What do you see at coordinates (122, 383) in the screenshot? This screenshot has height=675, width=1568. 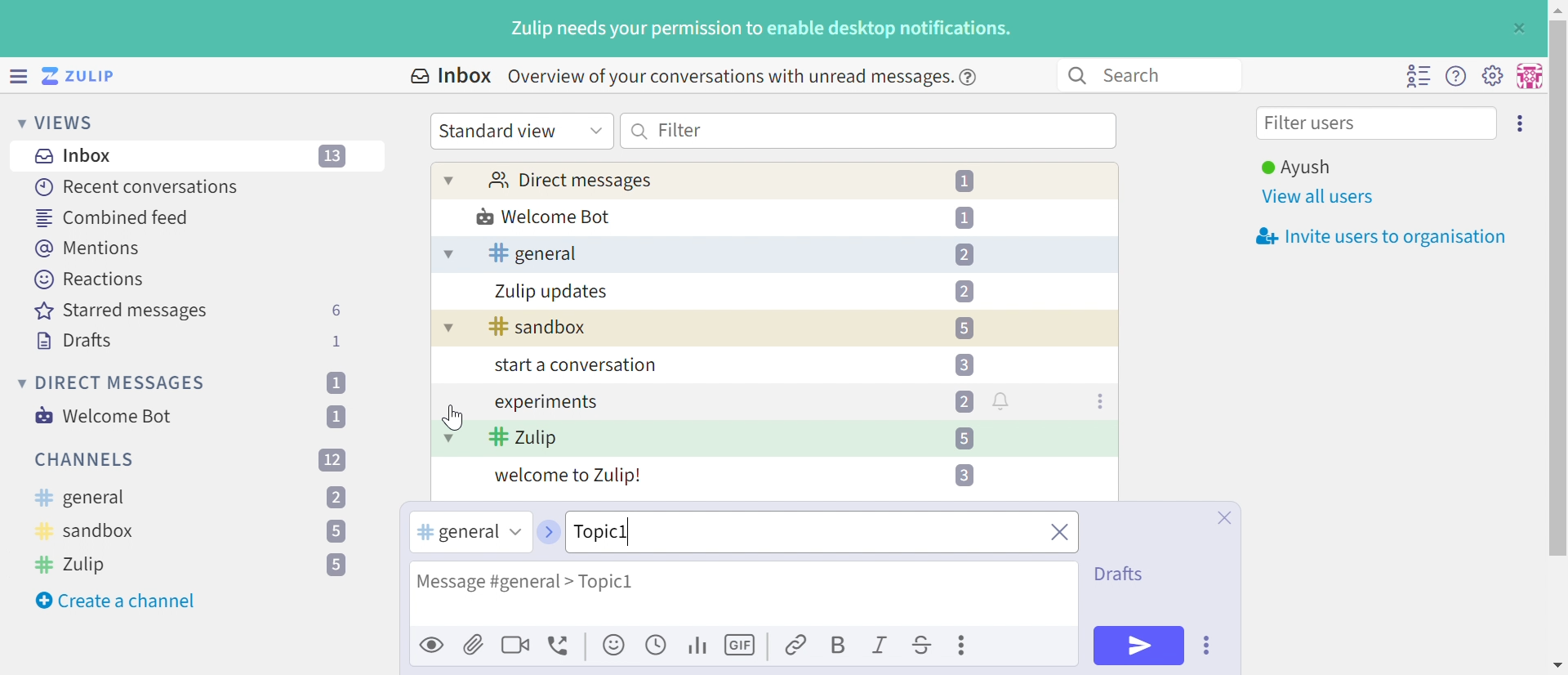 I see `DIRECT MESSAGES` at bounding box center [122, 383].